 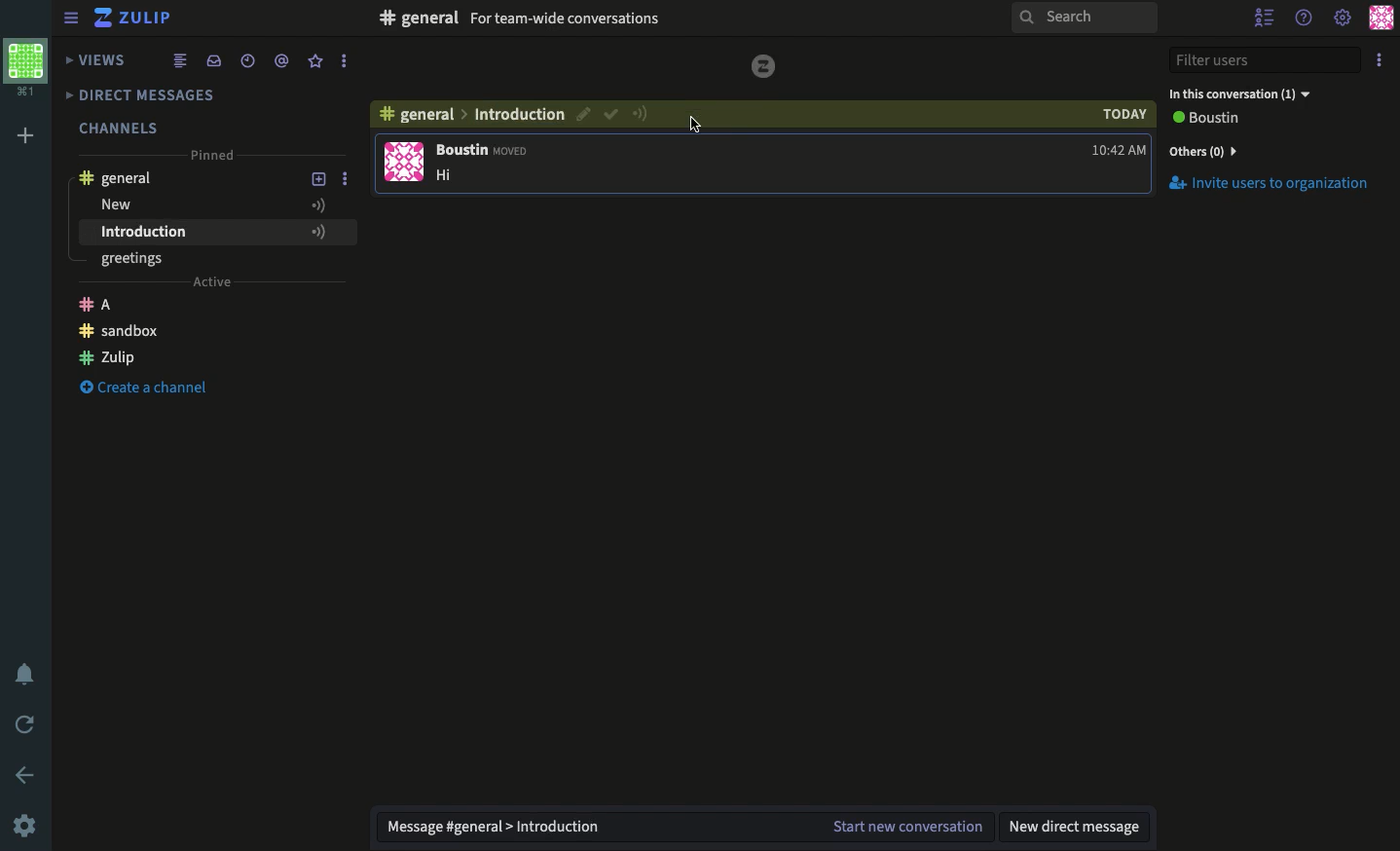 I want to click on Cancel, so click(x=612, y=116).